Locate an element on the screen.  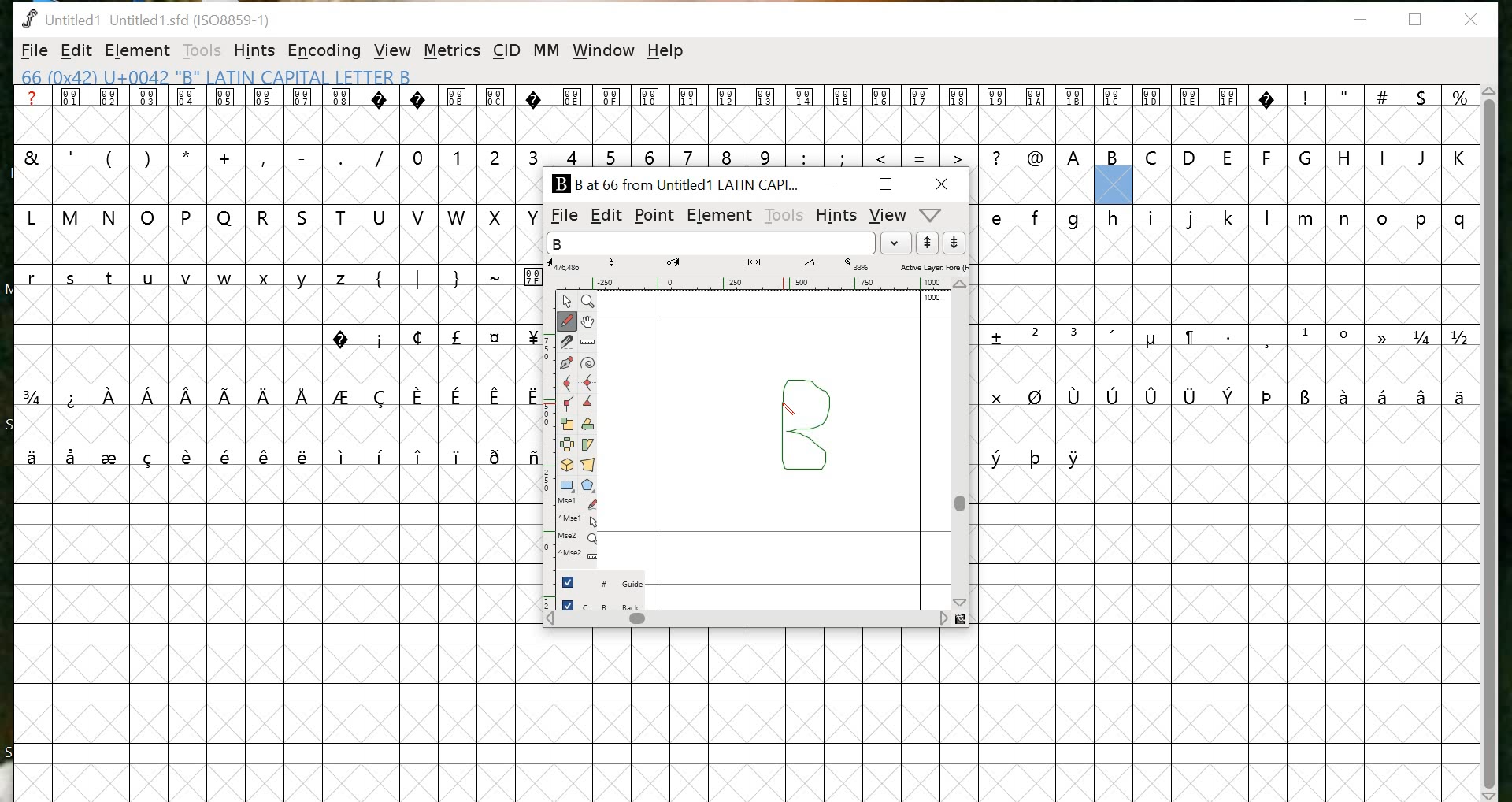
TOOLS is located at coordinates (200, 52).